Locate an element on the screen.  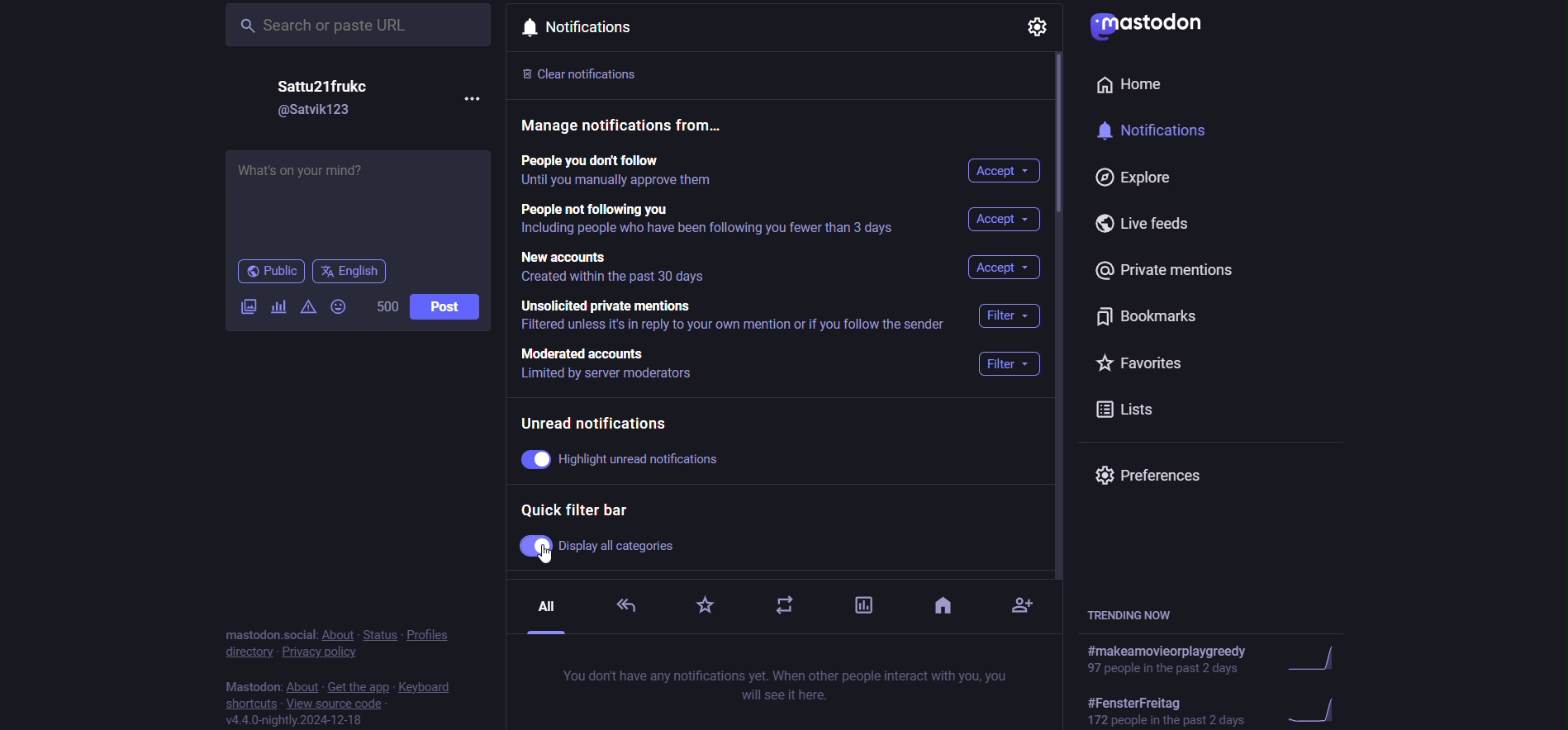
moderated accounts Limited by server moderators is located at coordinates (611, 364).